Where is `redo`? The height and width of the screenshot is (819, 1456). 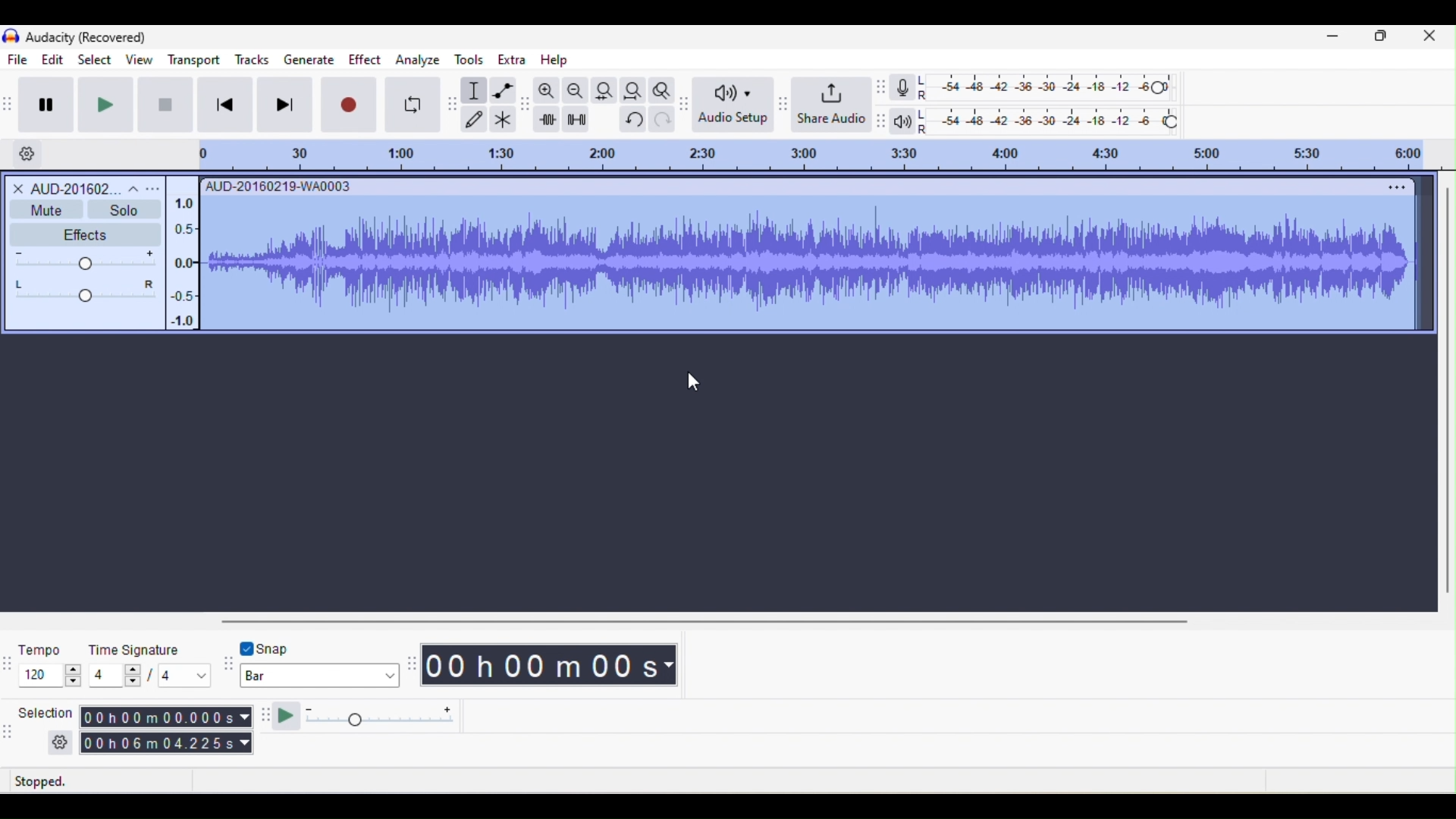 redo is located at coordinates (663, 123).